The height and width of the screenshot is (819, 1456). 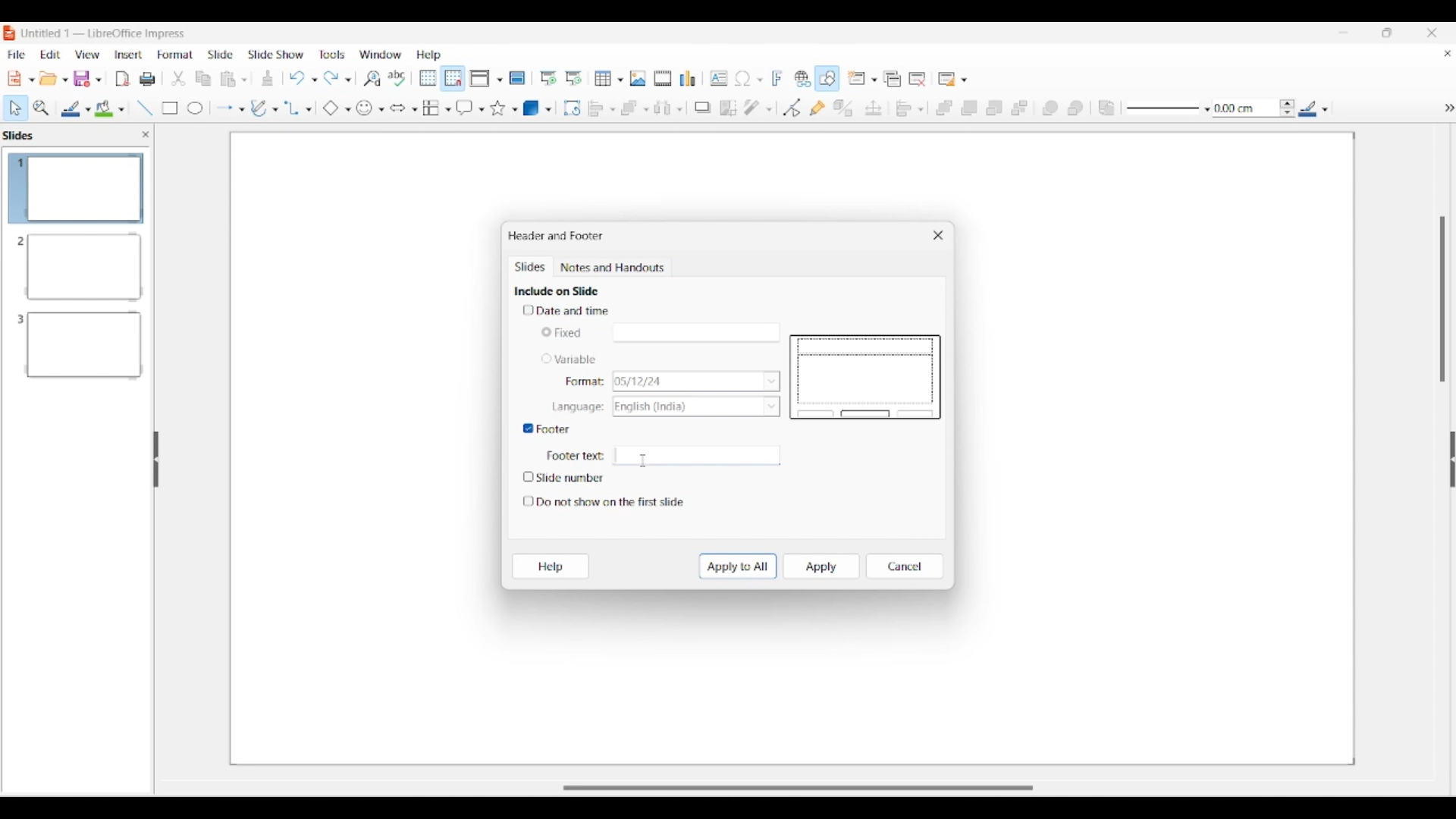 What do you see at coordinates (862, 78) in the screenshot?
I see `New slide options` at bounding box center [862, 78].